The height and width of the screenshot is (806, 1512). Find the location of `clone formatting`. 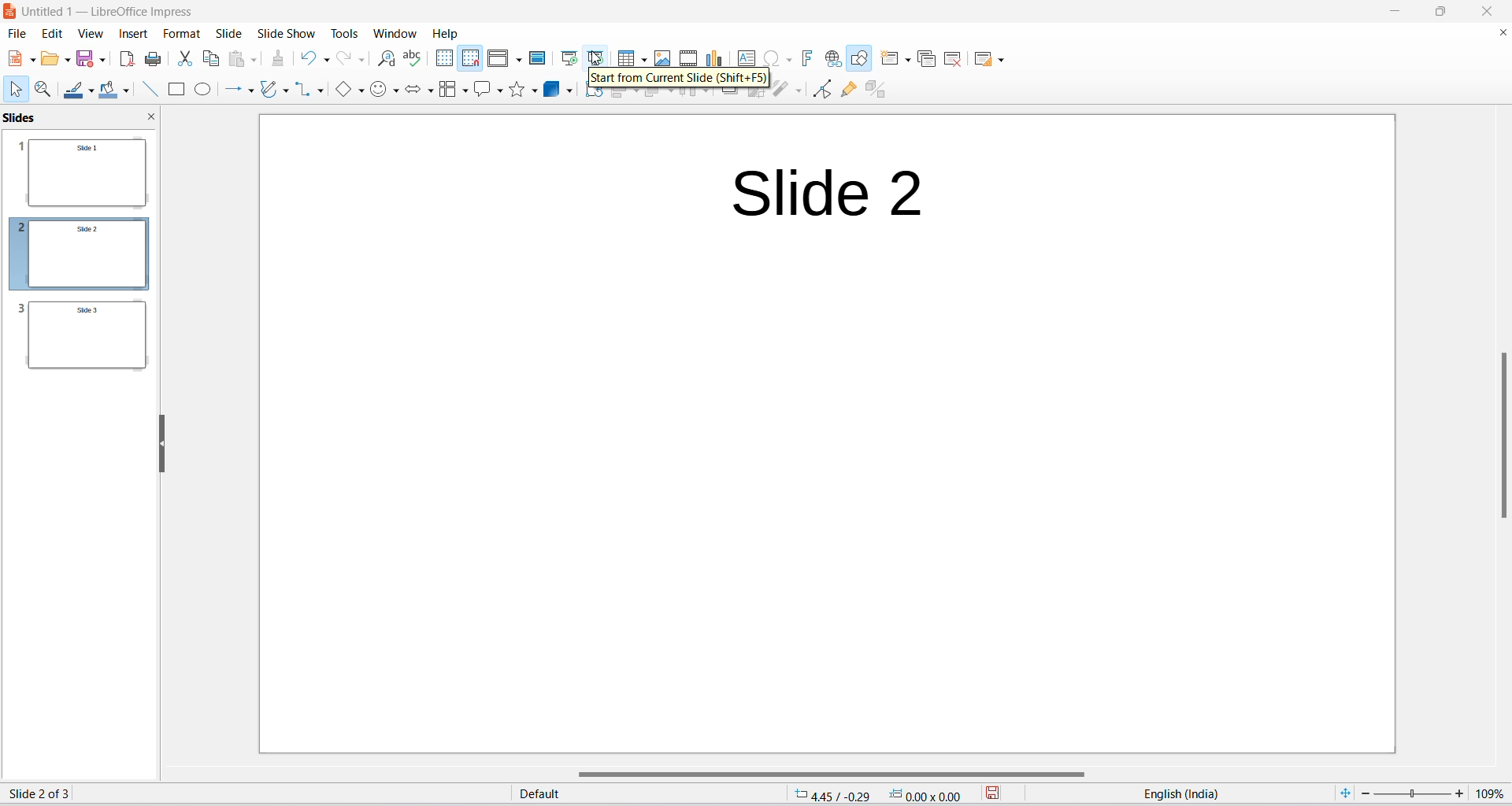

clone formatting is located at coordinates (278, 60).